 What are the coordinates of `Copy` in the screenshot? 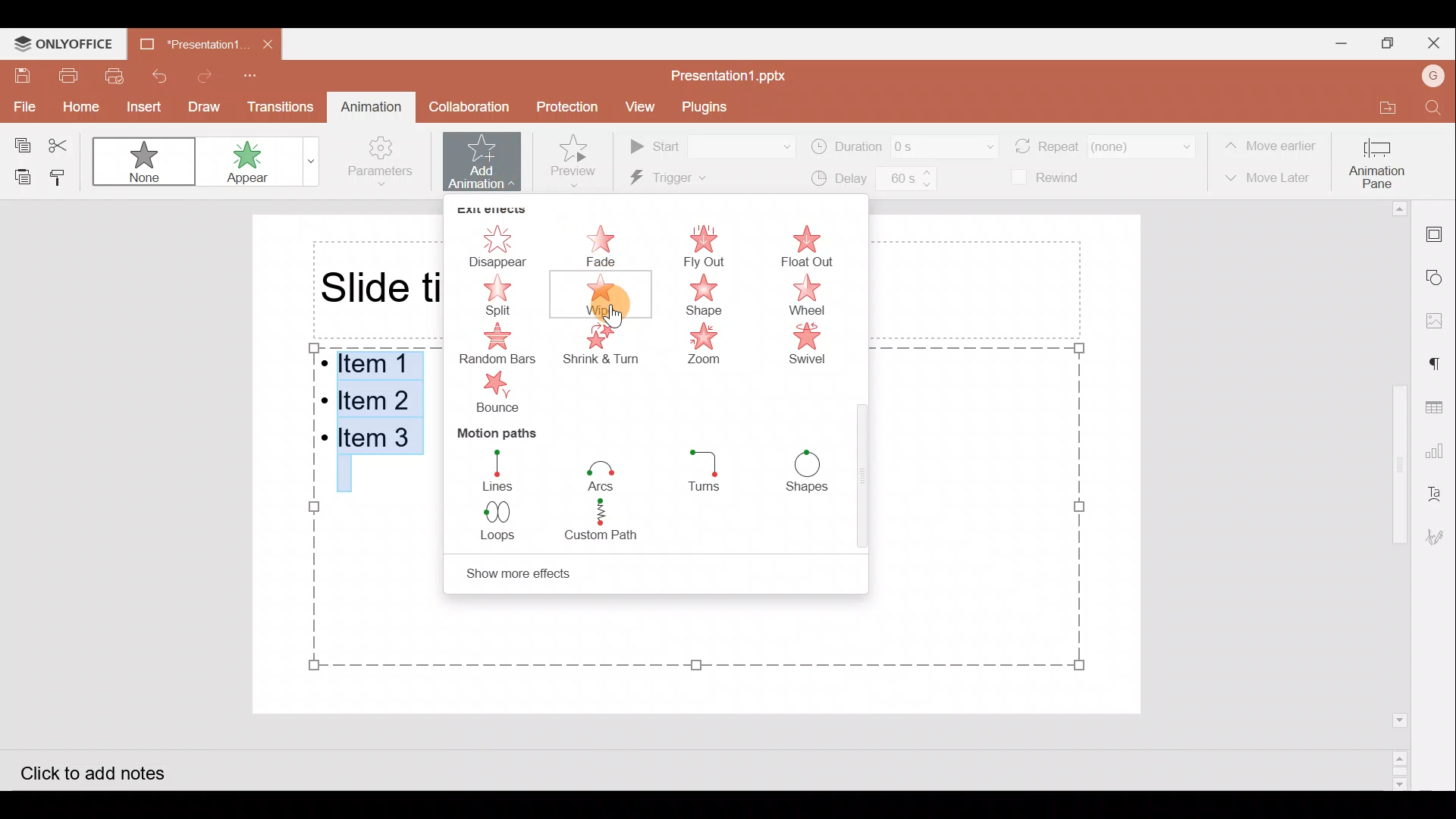 It's located at (20, 144).